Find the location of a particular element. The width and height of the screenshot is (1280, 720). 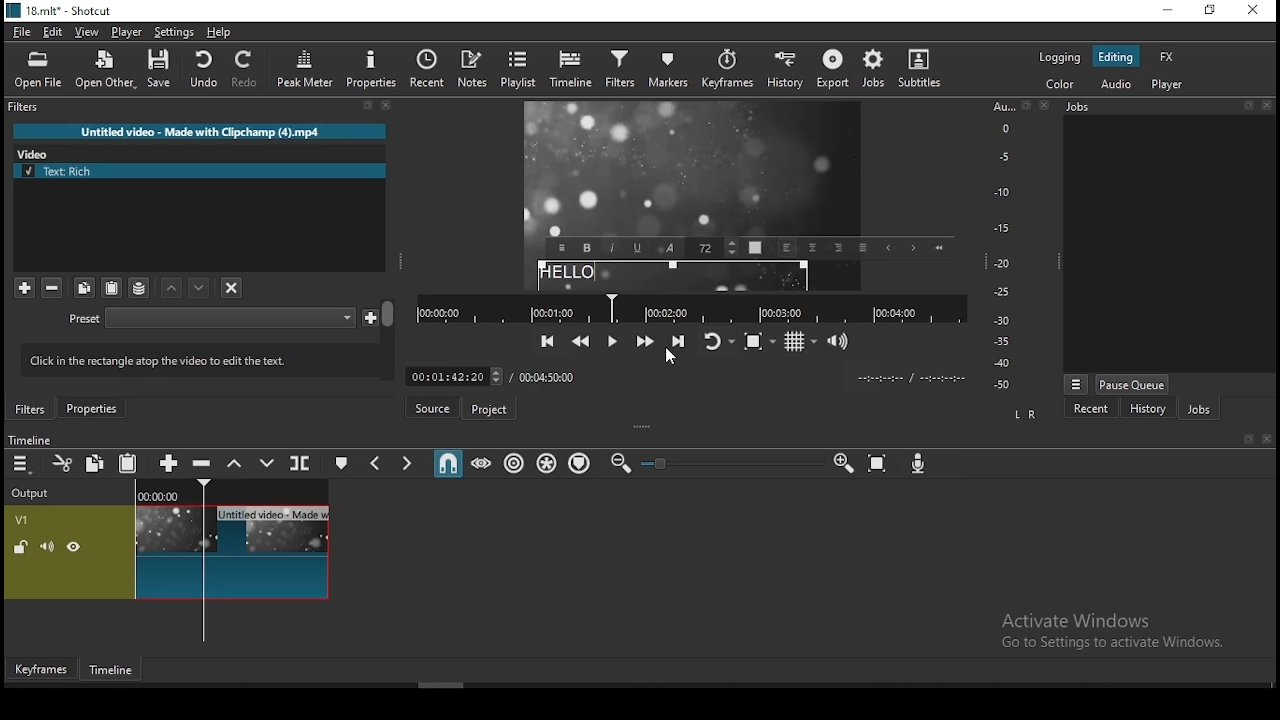

Zoom Slider is located at coordinates (732, 464).